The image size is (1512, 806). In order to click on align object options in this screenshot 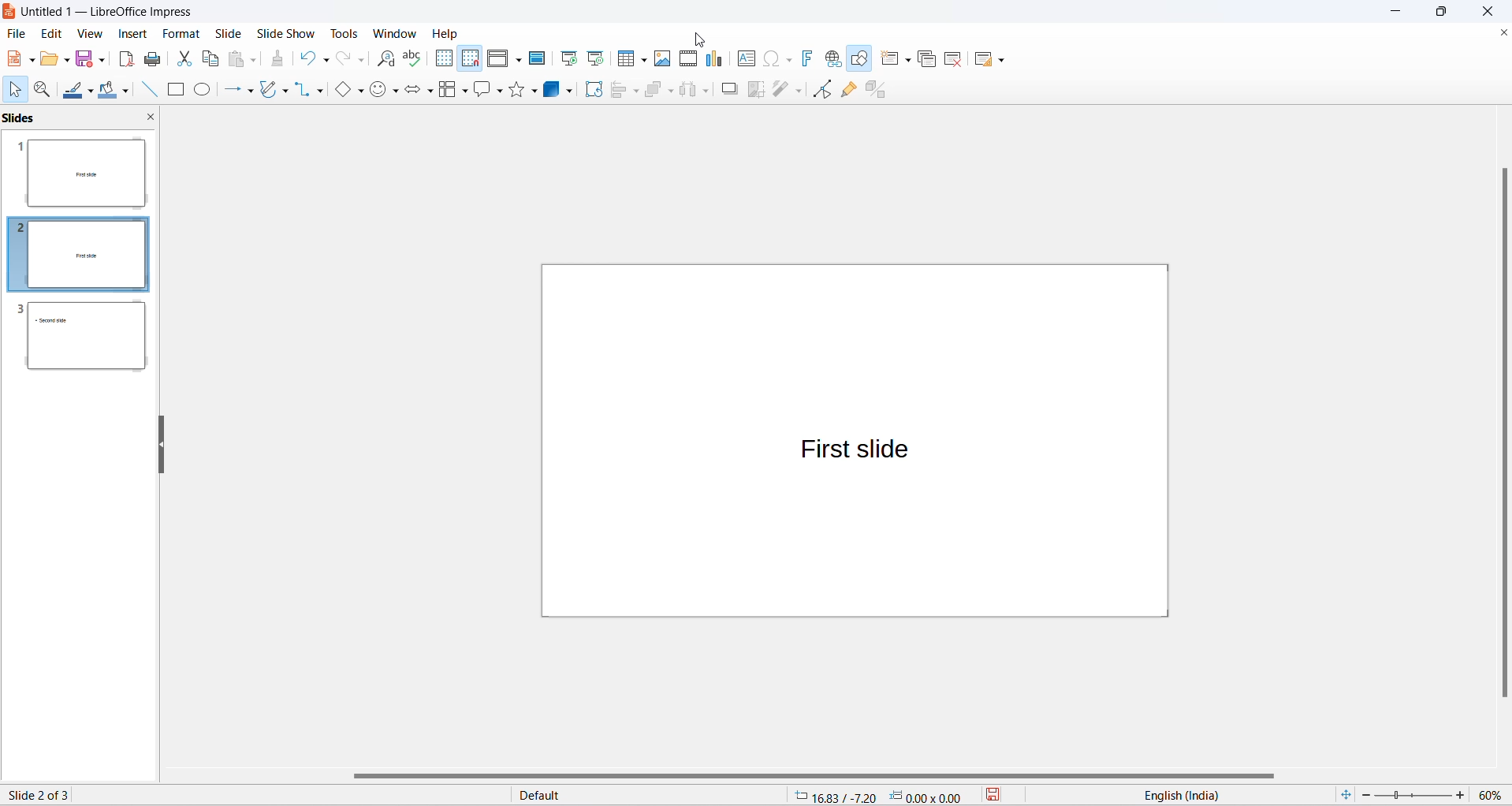, I will do `click(616, 91)`.